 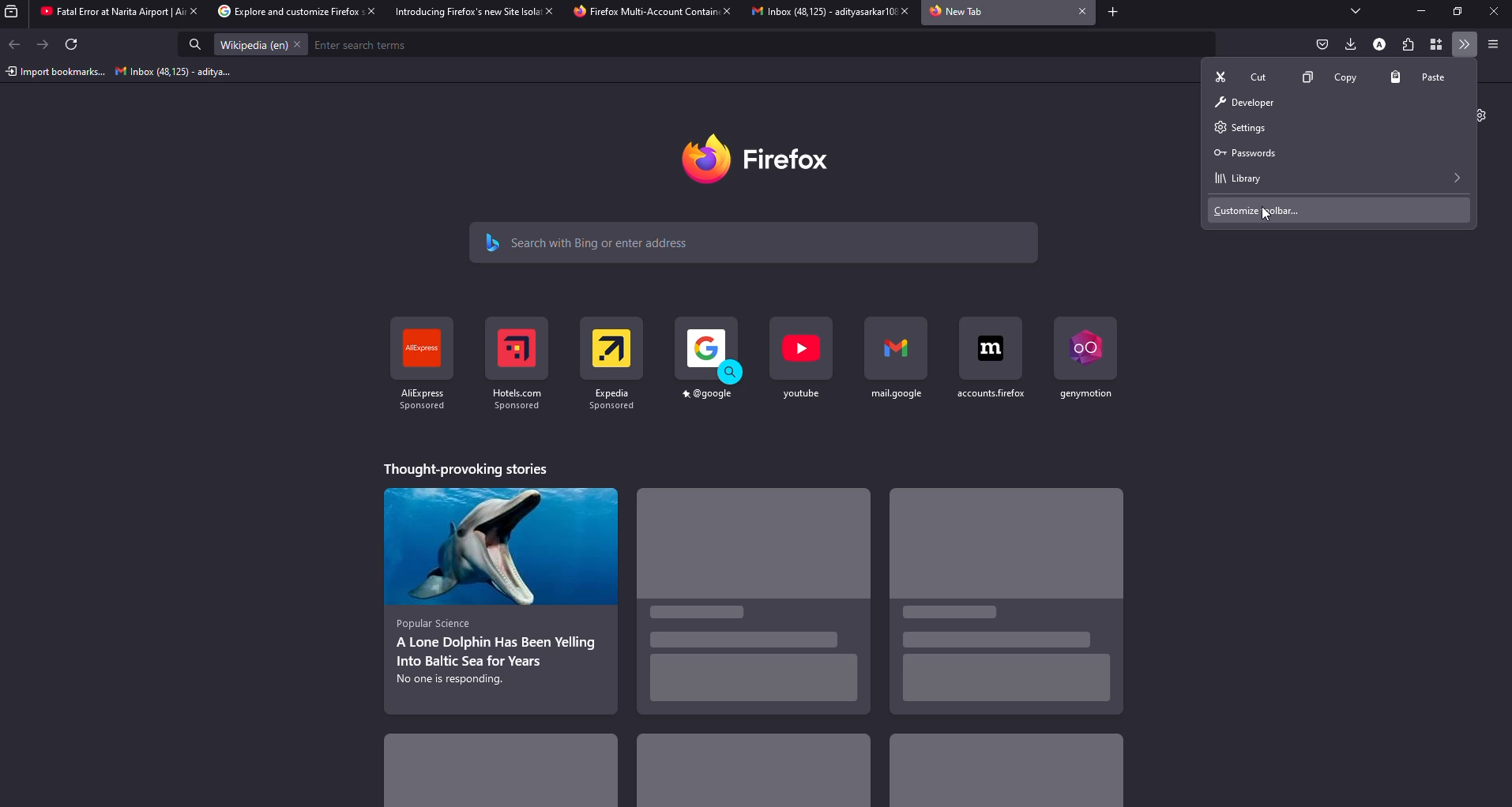 I want to click on container, so click(x=1439, y=45).